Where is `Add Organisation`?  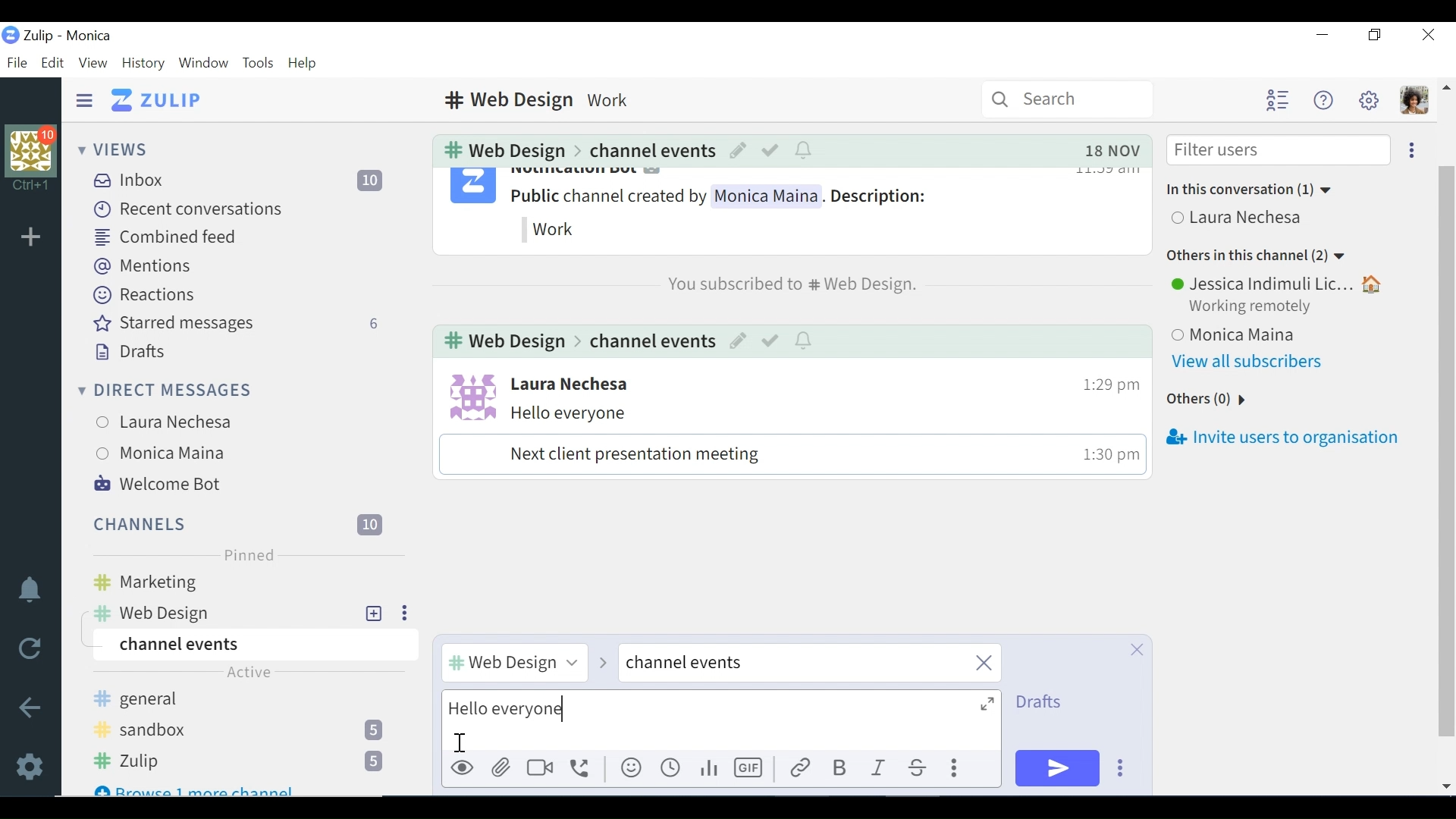 Add Organisation is located at coordinates (31, 236).